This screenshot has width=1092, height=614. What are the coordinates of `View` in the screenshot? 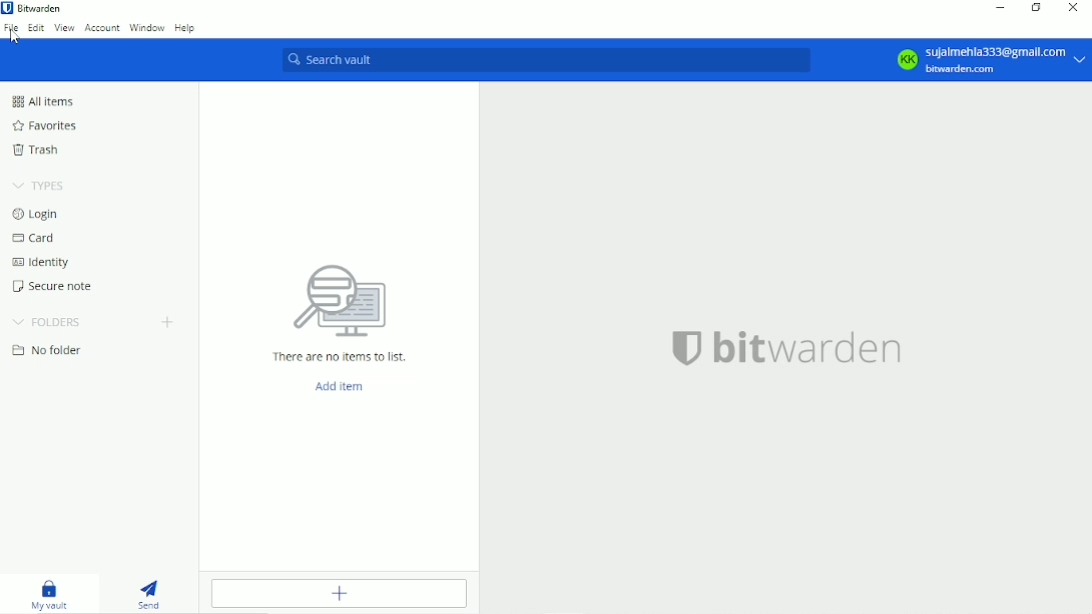 It's located at (64, 29).